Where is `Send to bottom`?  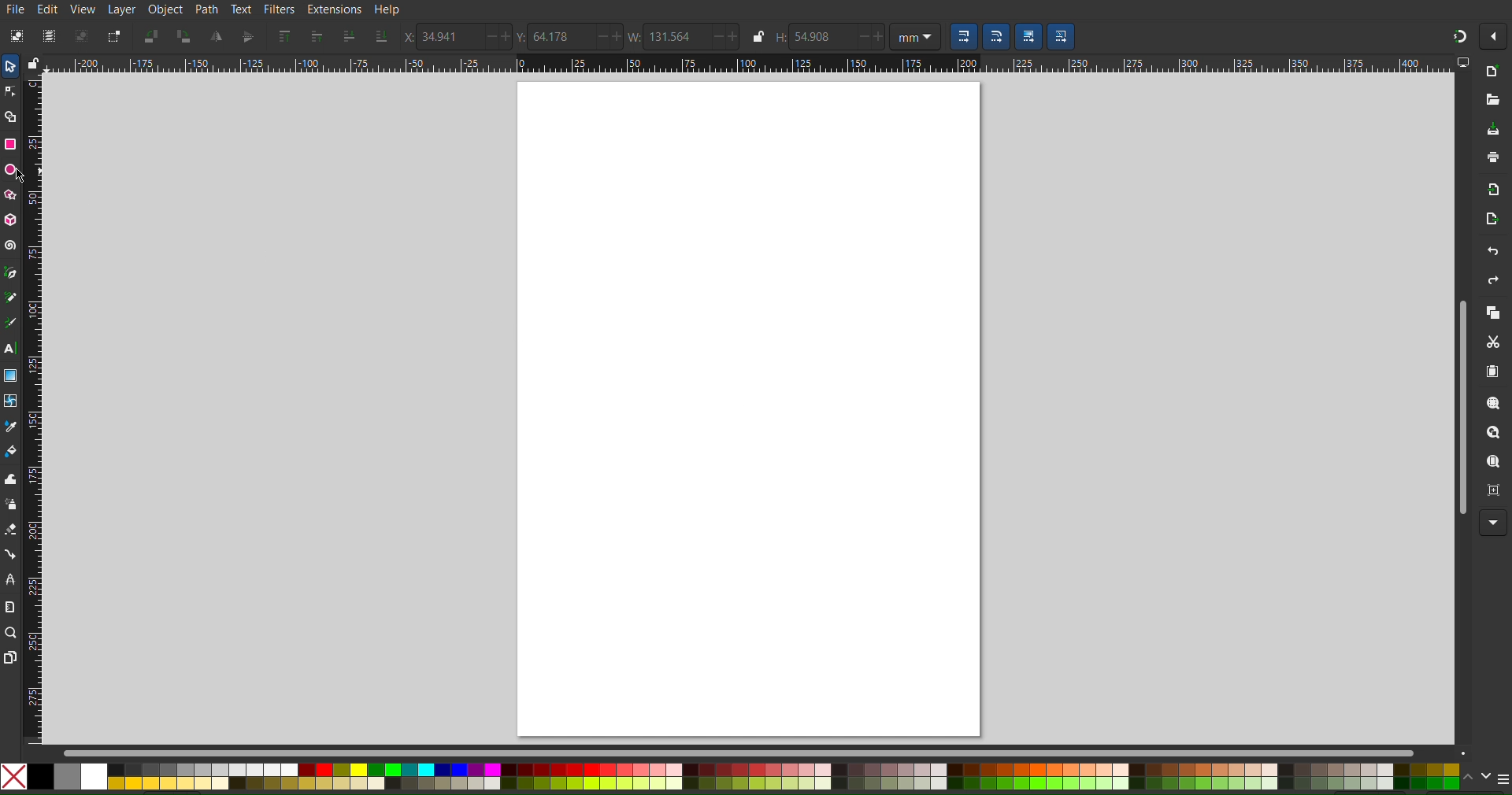
Send to bottom is located at coordinates (380, 35).